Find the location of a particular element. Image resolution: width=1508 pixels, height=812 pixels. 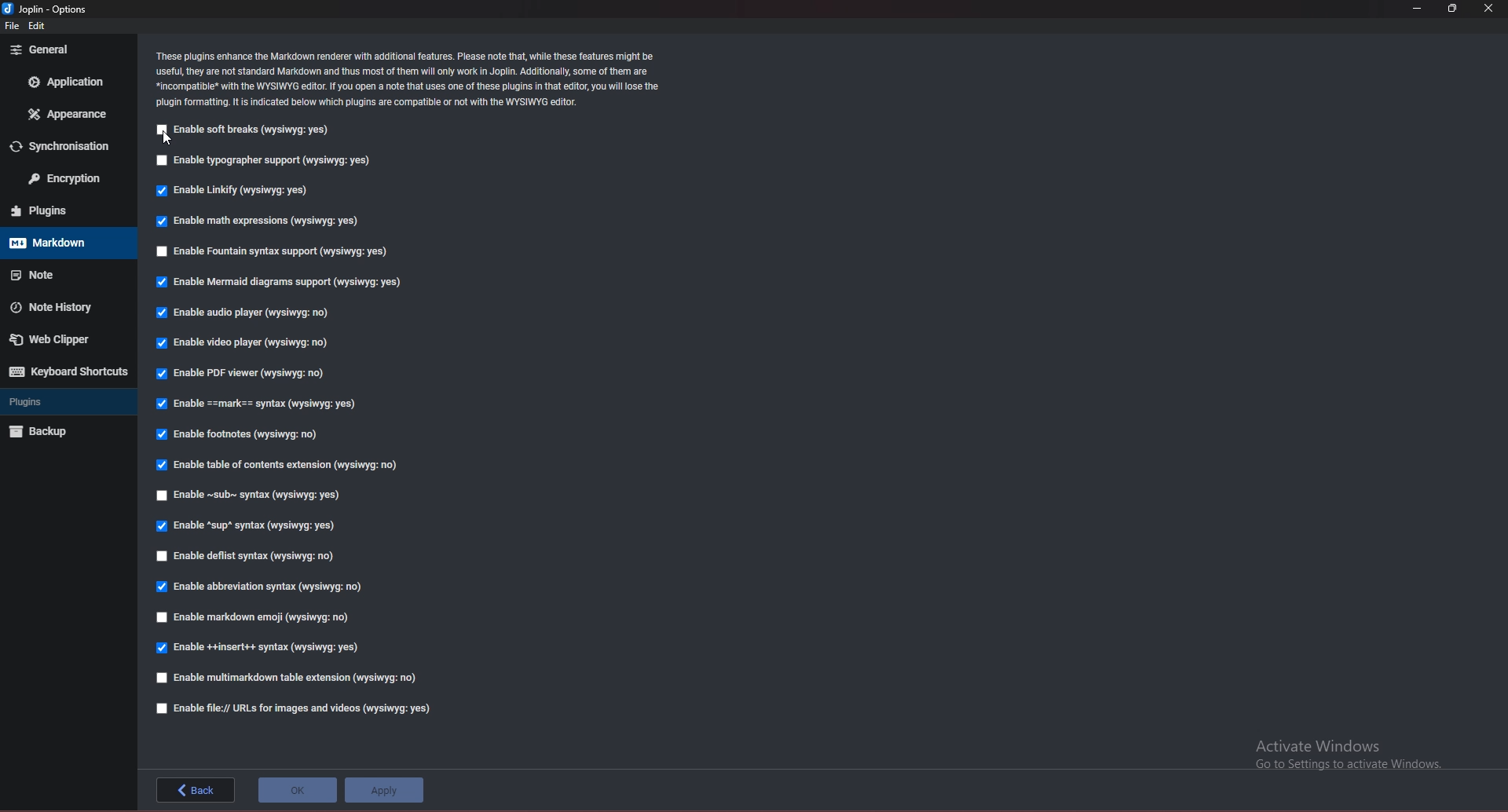

enable sup syntax is located at coordinates (249, 525).